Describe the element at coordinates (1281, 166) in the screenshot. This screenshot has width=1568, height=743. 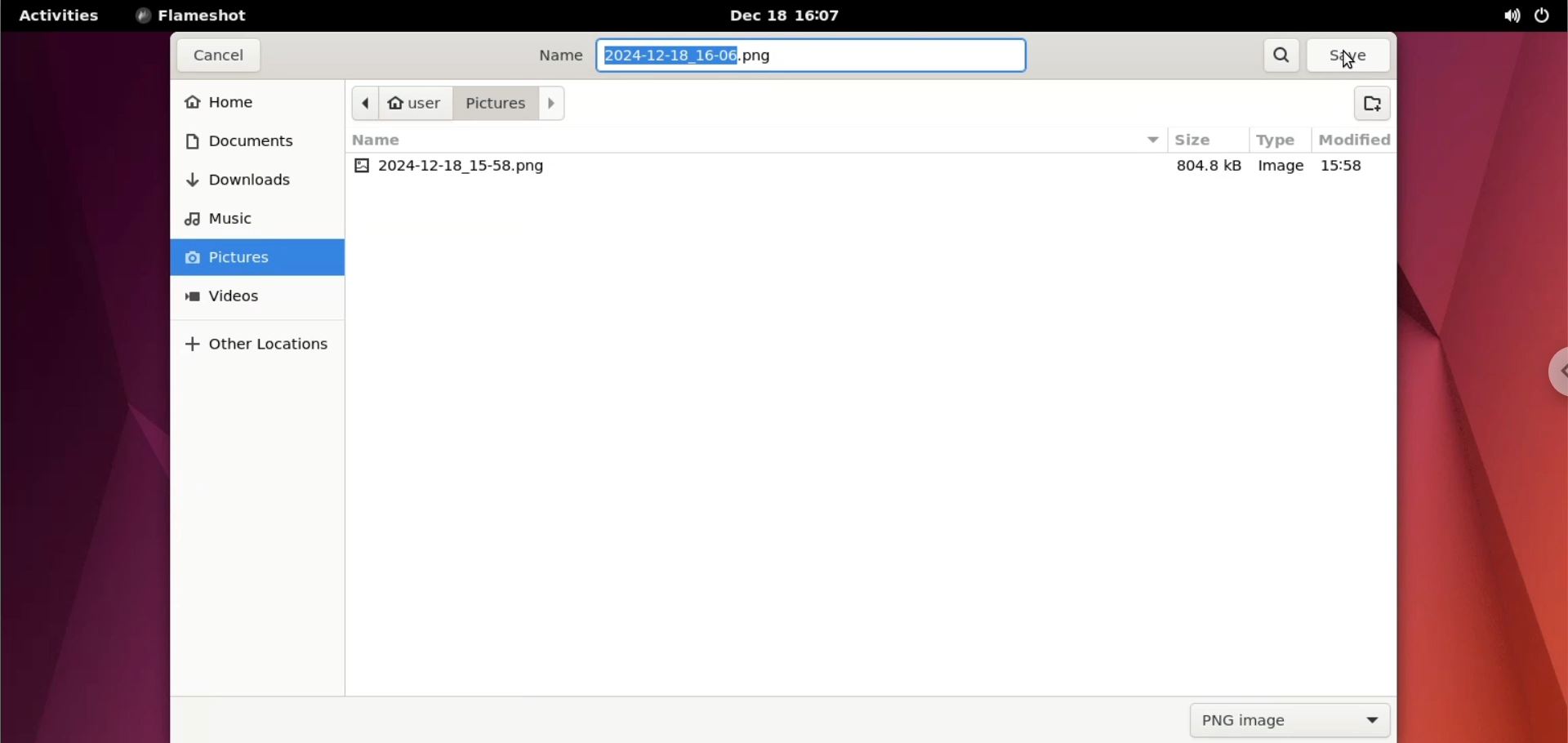
I see `file type` at that location.